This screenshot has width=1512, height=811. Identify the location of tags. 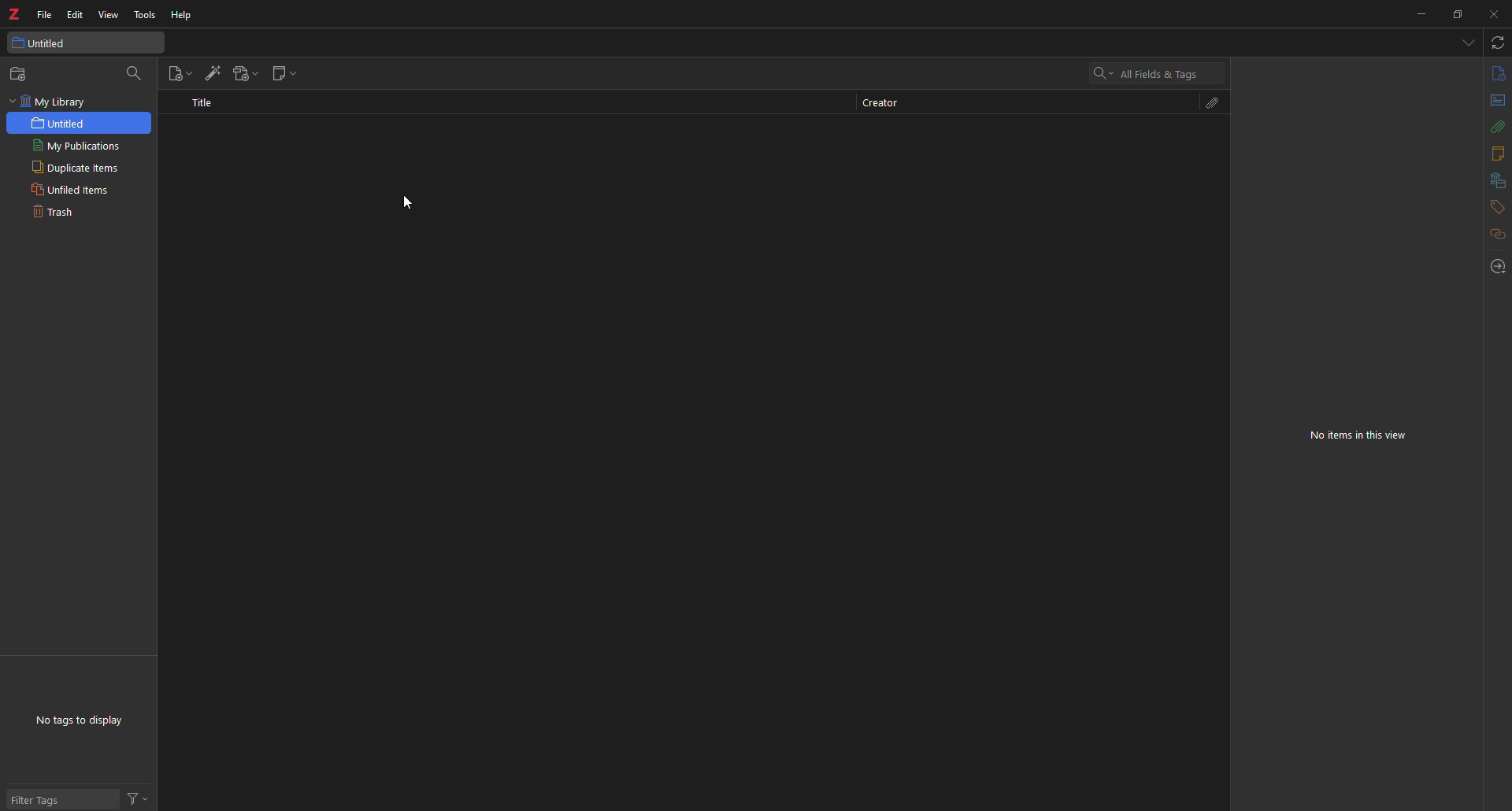
(1496, 206).